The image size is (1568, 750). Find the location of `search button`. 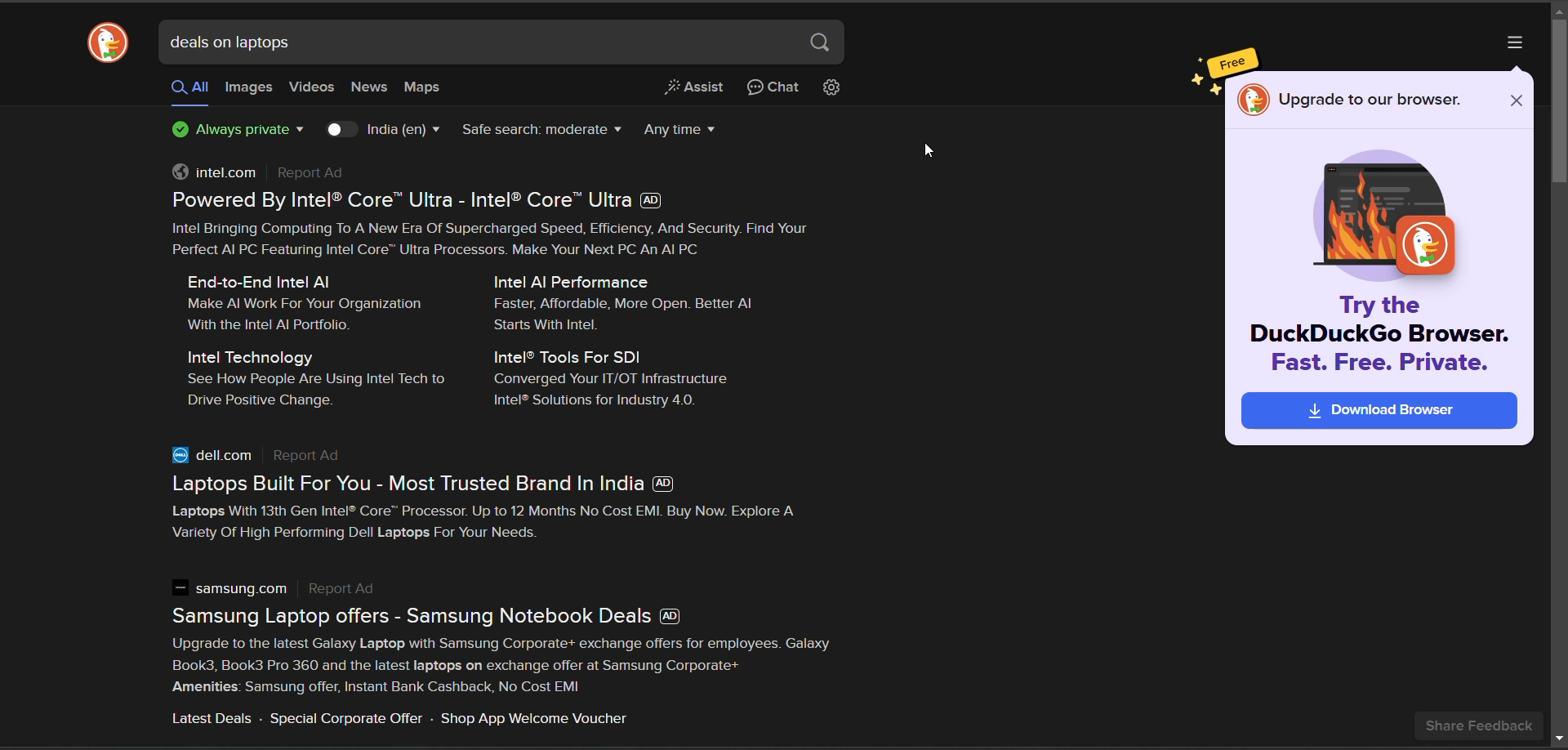

search button is located at coordinates (823, 45).